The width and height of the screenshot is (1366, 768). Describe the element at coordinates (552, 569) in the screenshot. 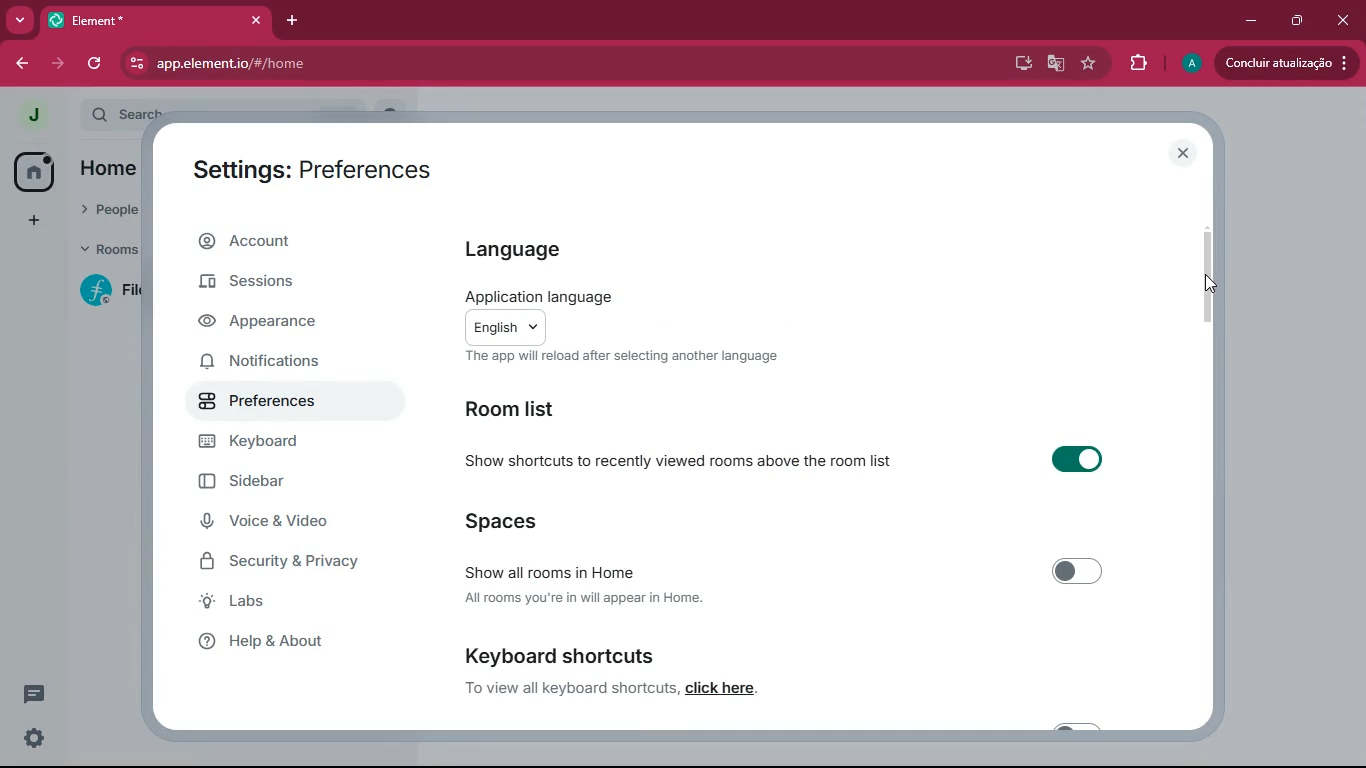

I see `show all rooms in home` at that location.